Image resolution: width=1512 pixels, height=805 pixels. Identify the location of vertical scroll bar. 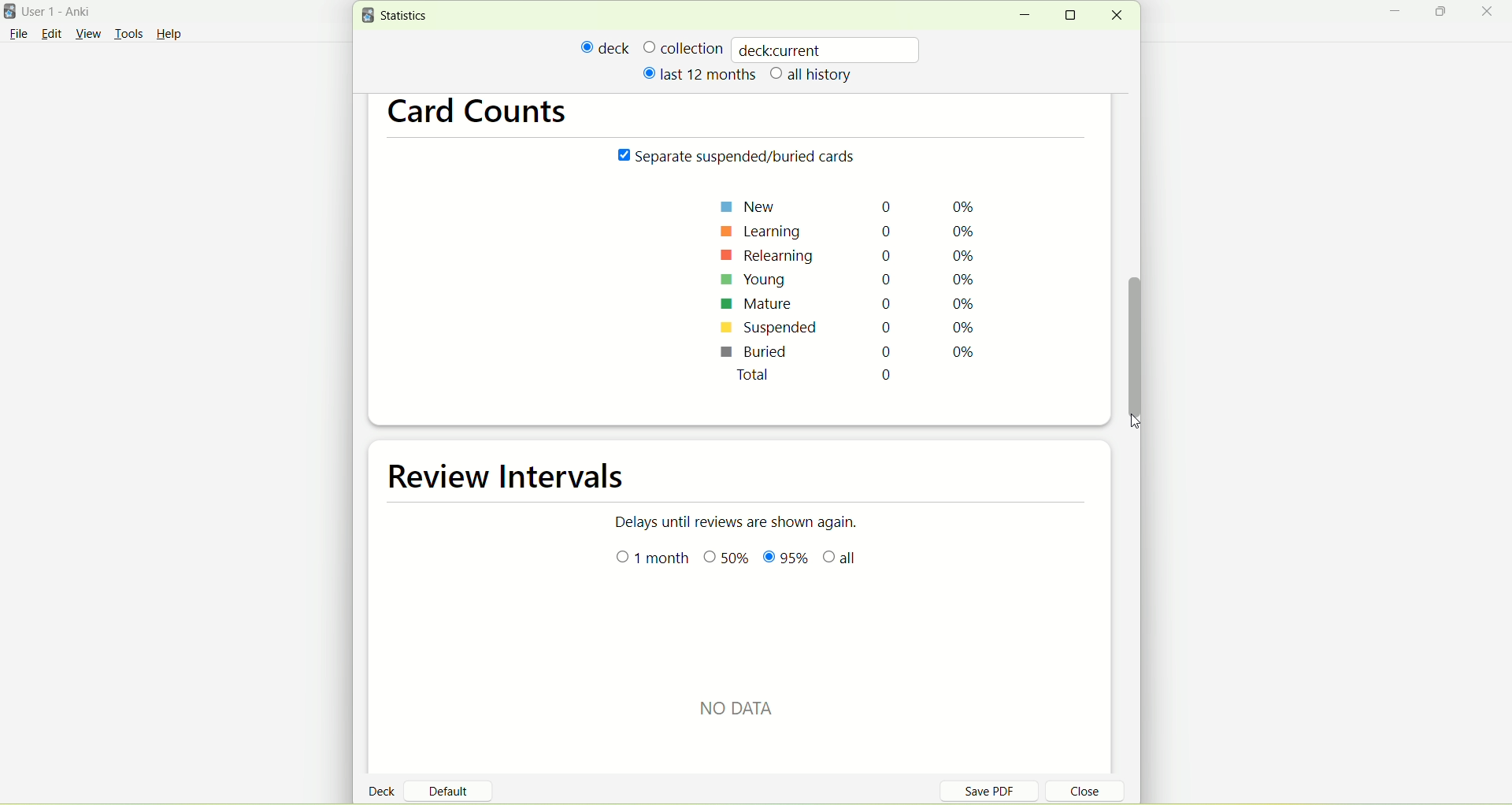
(1138, 342).